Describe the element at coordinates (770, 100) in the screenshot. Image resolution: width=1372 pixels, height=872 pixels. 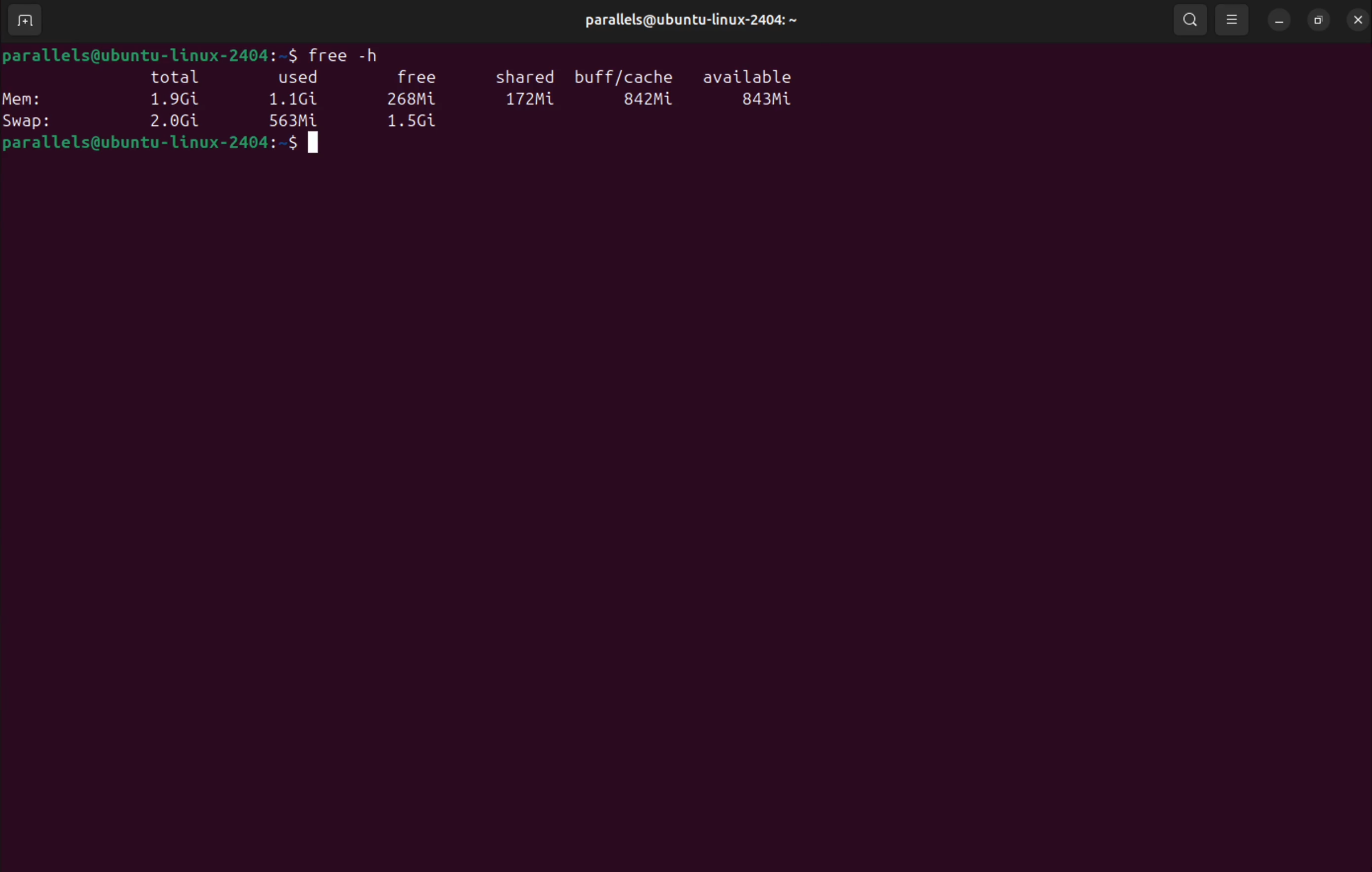
I see `843Mi` at that location.